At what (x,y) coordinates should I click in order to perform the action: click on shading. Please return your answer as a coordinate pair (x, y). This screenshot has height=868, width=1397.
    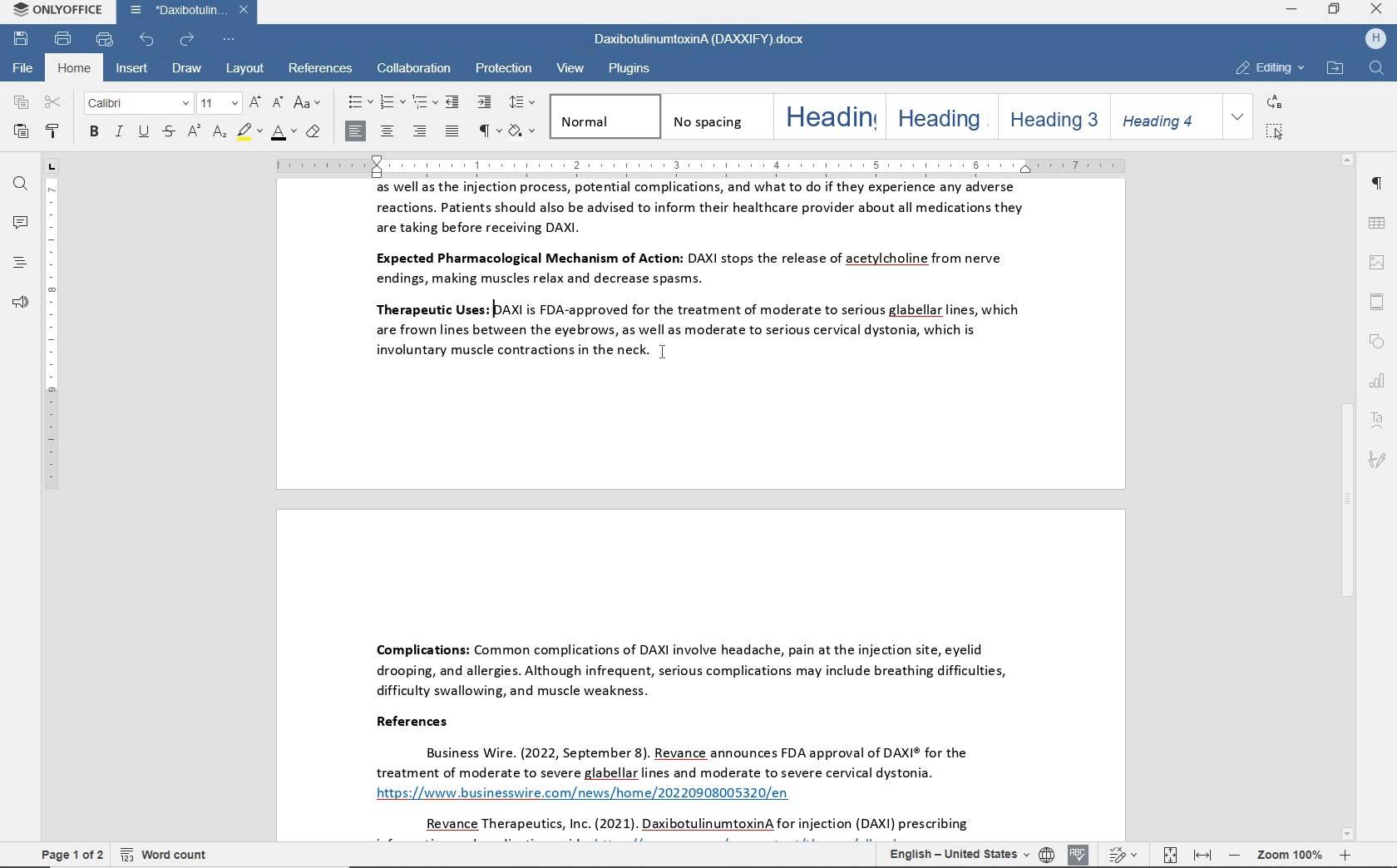
    Looking at the image, I should click on (524, 132).